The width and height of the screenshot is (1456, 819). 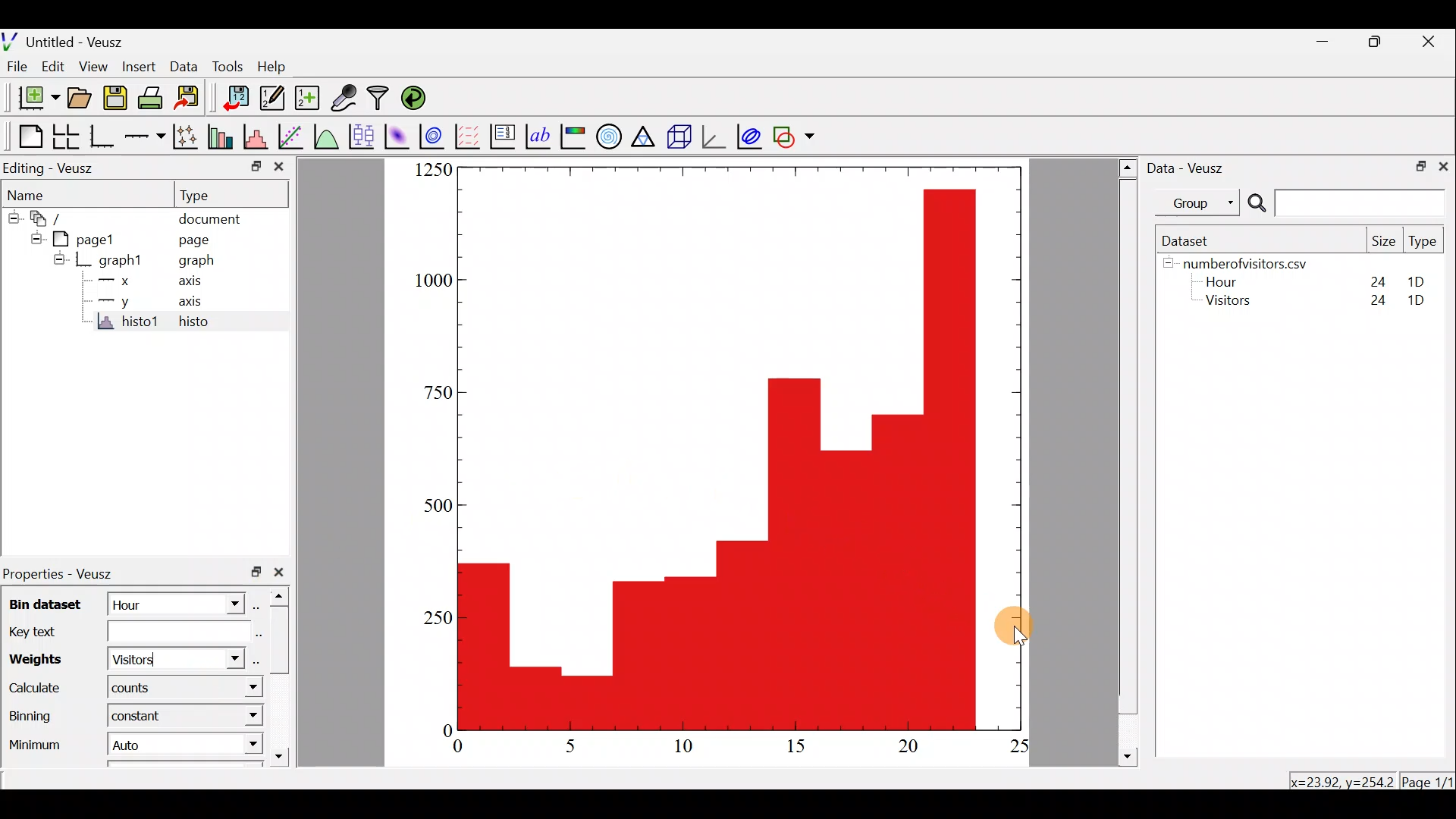 What do you see at coordinates (151, 97) in the screenshot?
I see `print the document` at bounding box center [151, 97].